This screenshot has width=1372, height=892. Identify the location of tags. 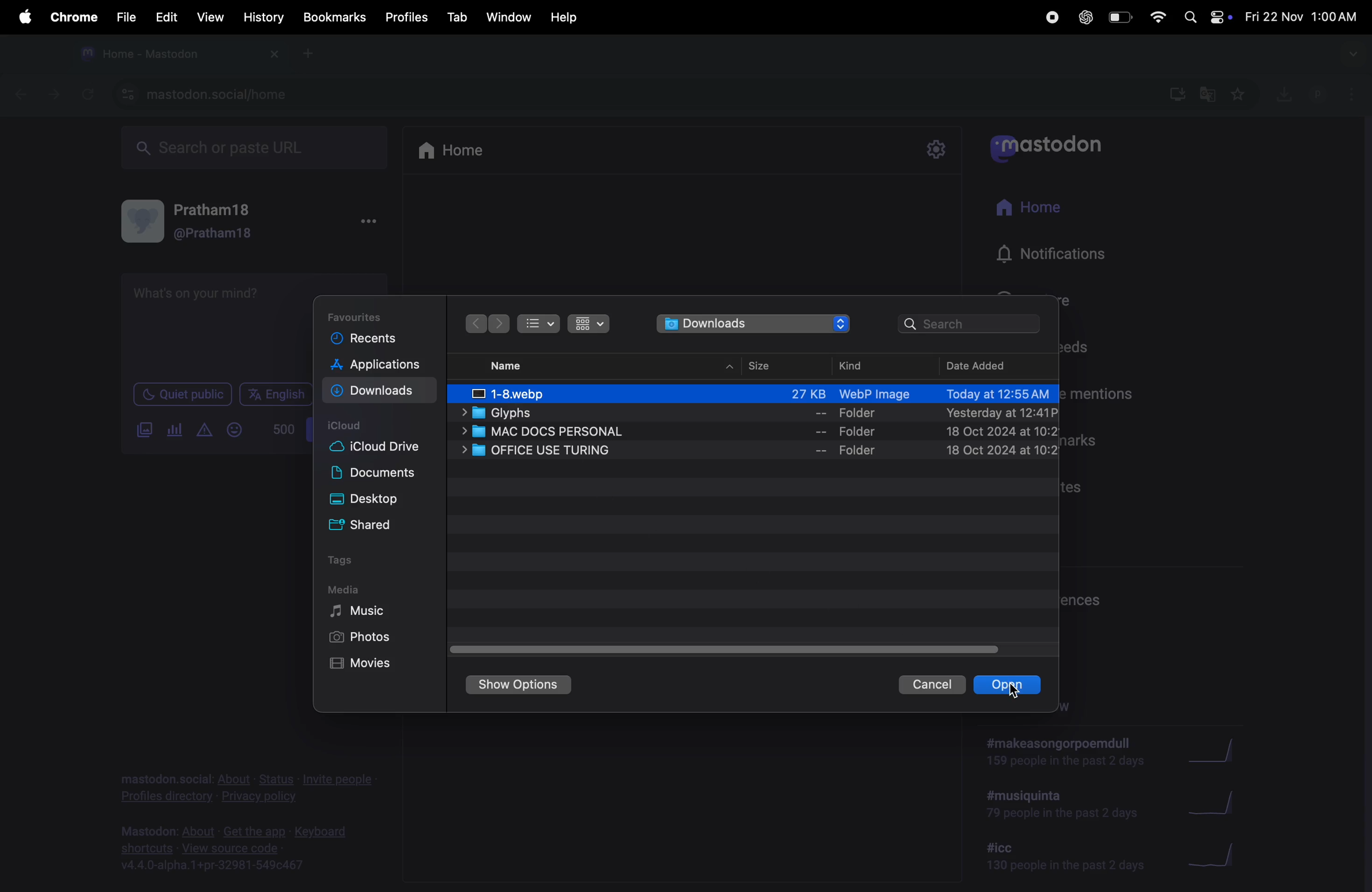
(349, 560).